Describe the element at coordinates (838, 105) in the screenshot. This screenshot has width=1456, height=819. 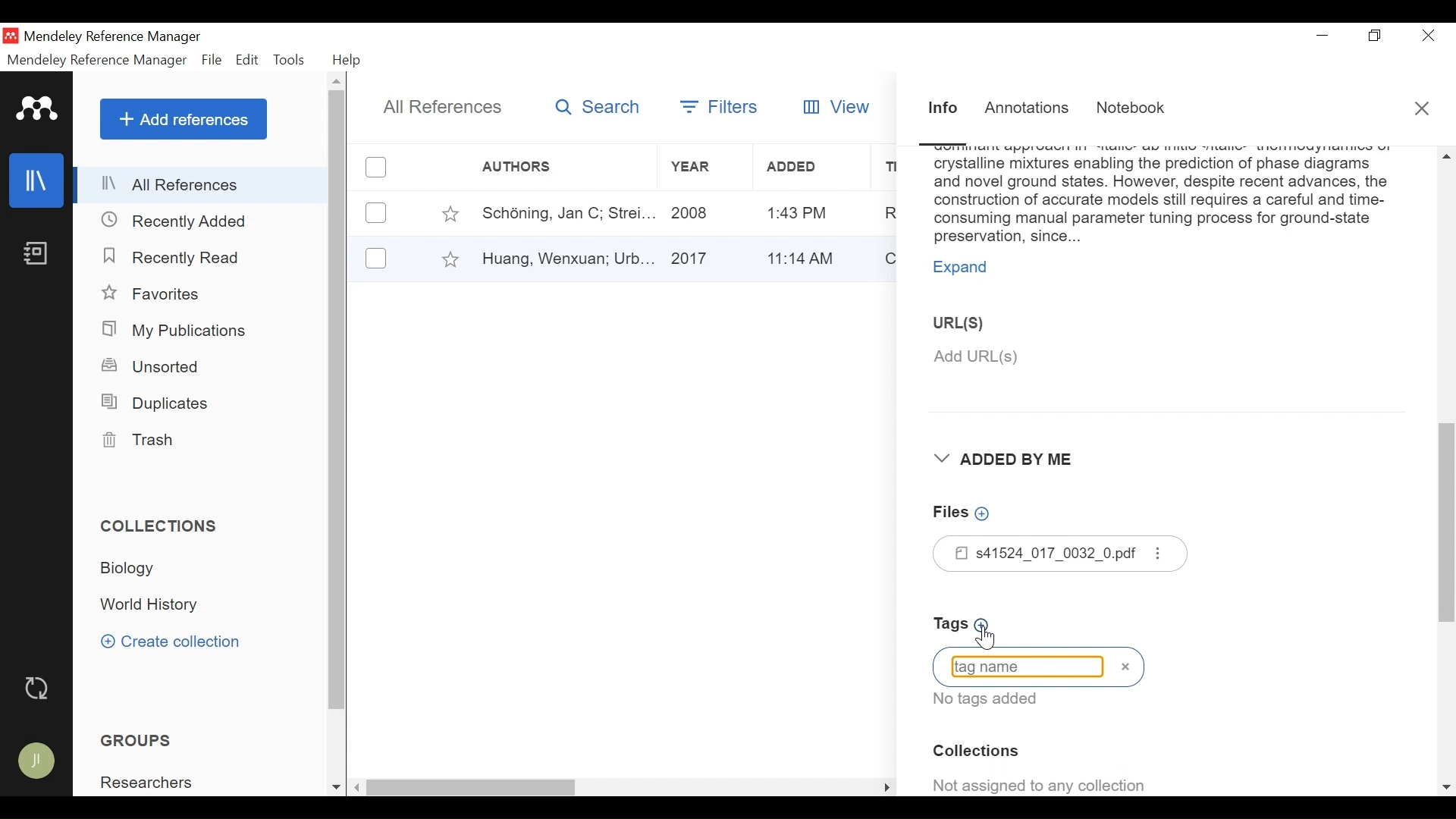
I see `View` at that location.